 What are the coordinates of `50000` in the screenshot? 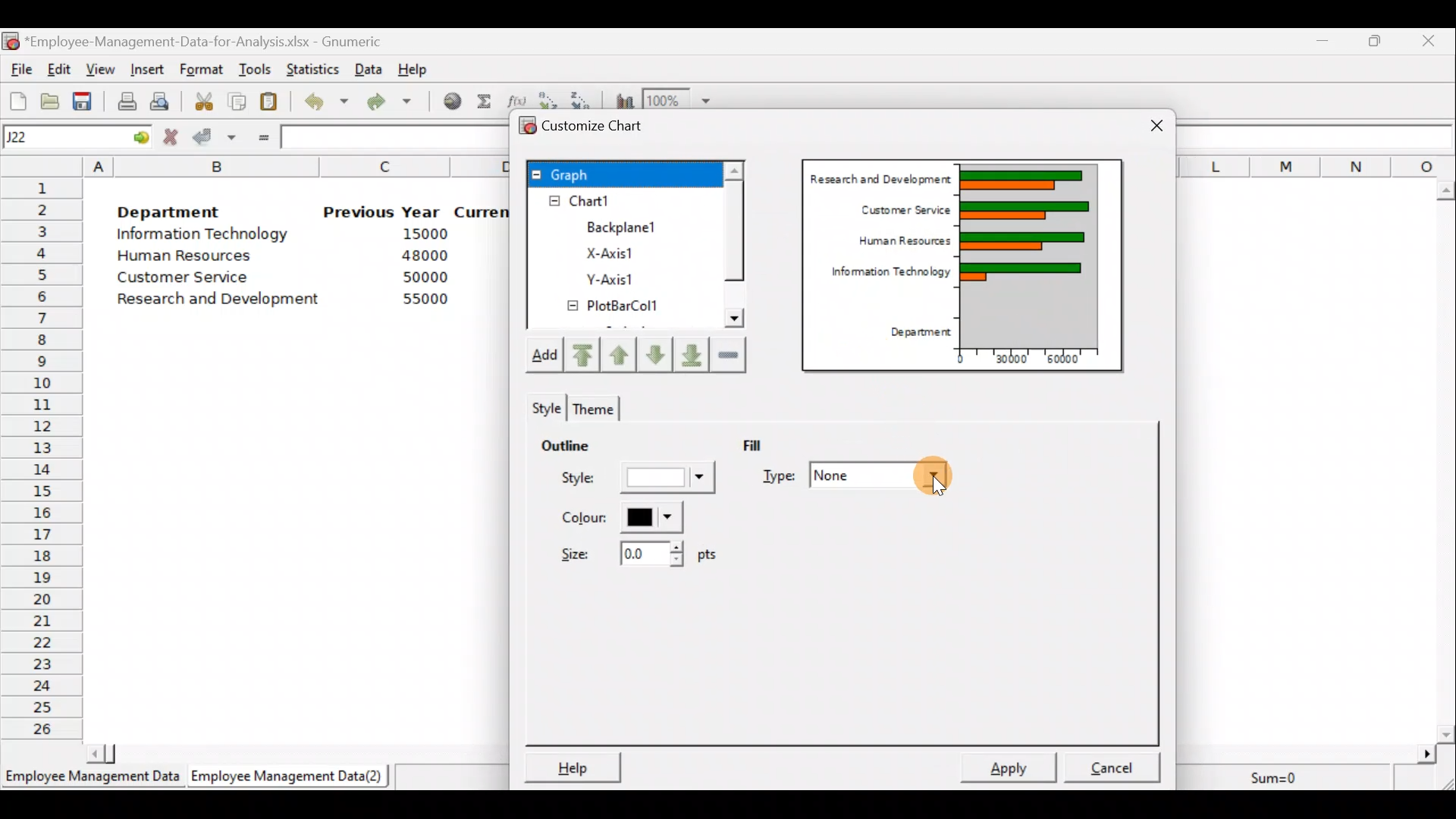 It's located at (1059, 362).